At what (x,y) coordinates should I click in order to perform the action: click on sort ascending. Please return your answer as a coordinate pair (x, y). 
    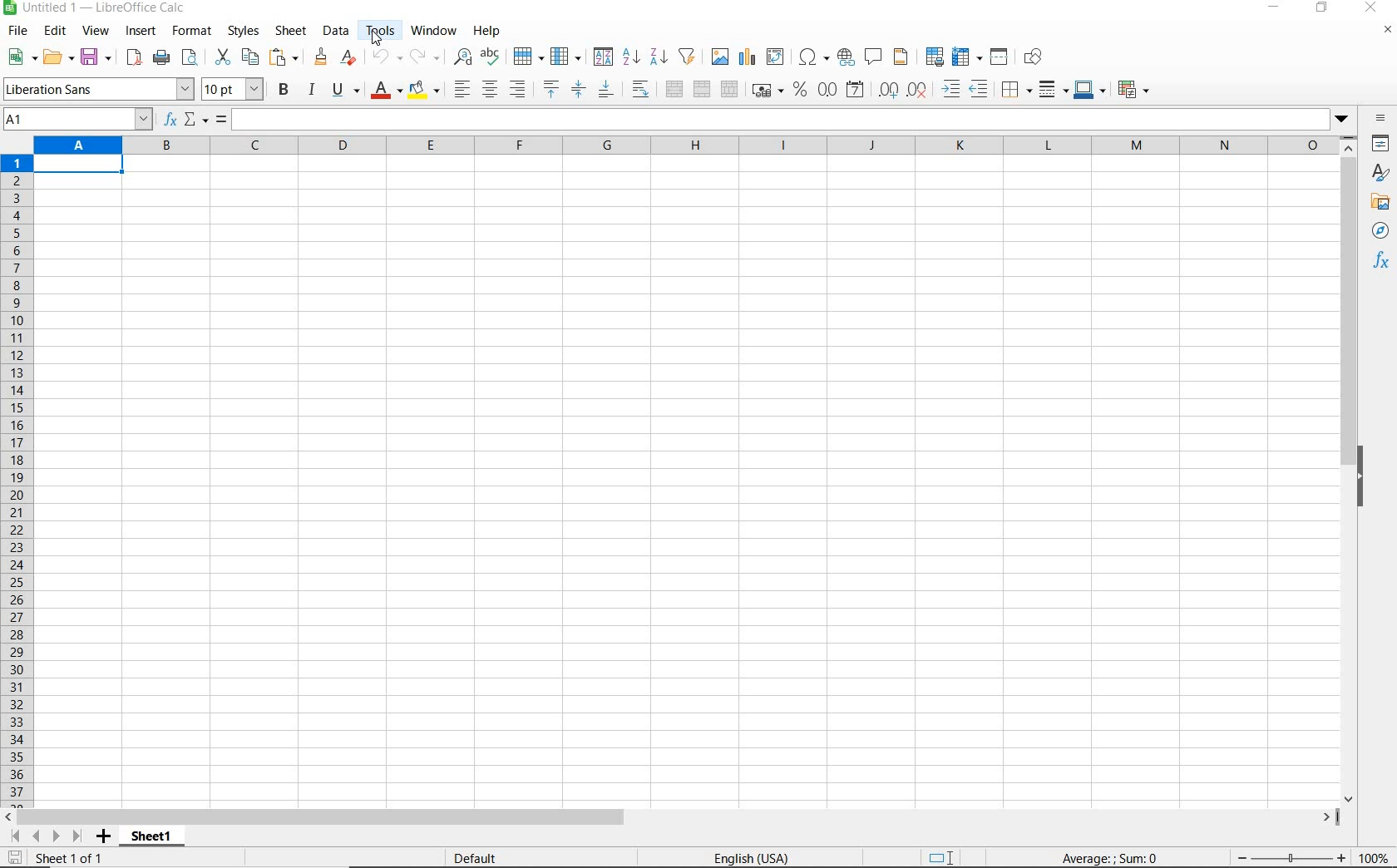
    Looking at the image, I should click on (630, 57).